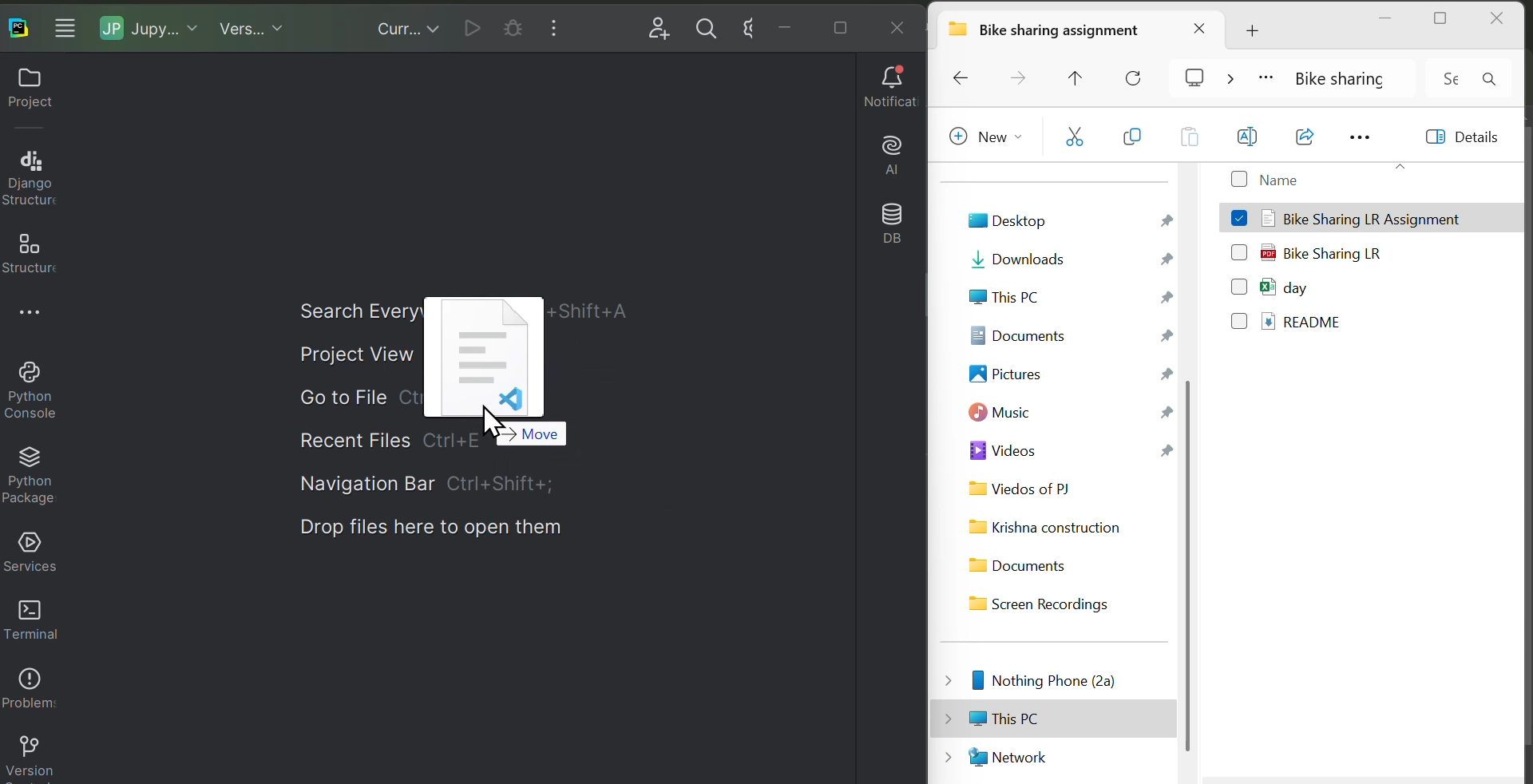 The height and width of the screenshot is (784, 1533). I want to click on Bike sharing, so click(1338, 77).